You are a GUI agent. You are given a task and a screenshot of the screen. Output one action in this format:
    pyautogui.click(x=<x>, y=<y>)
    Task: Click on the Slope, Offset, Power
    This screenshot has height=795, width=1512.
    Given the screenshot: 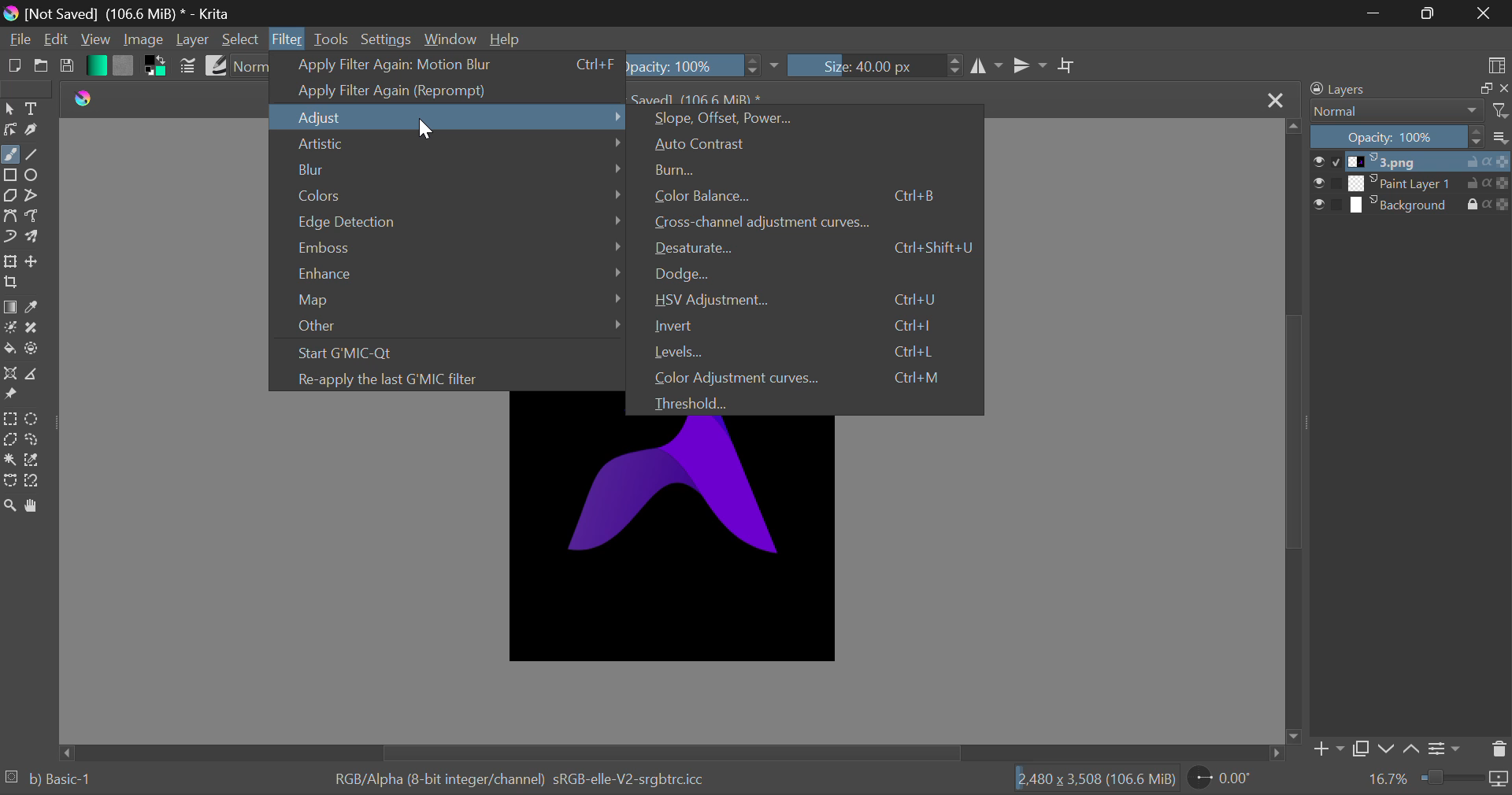 What is the action you would take?
    pyautogui.click(x=807, y=120)
    